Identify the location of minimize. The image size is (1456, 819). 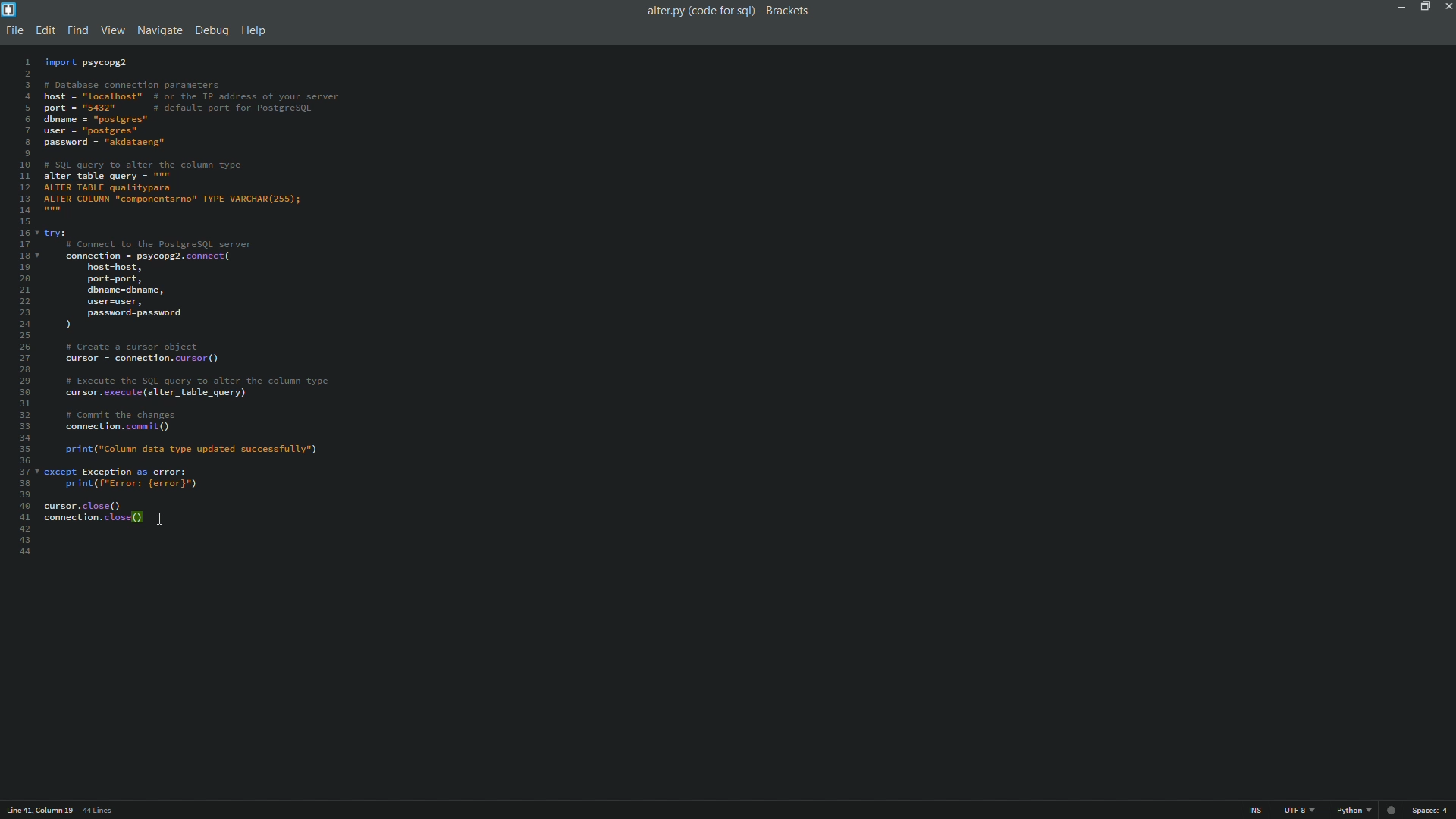
(1398, 6).